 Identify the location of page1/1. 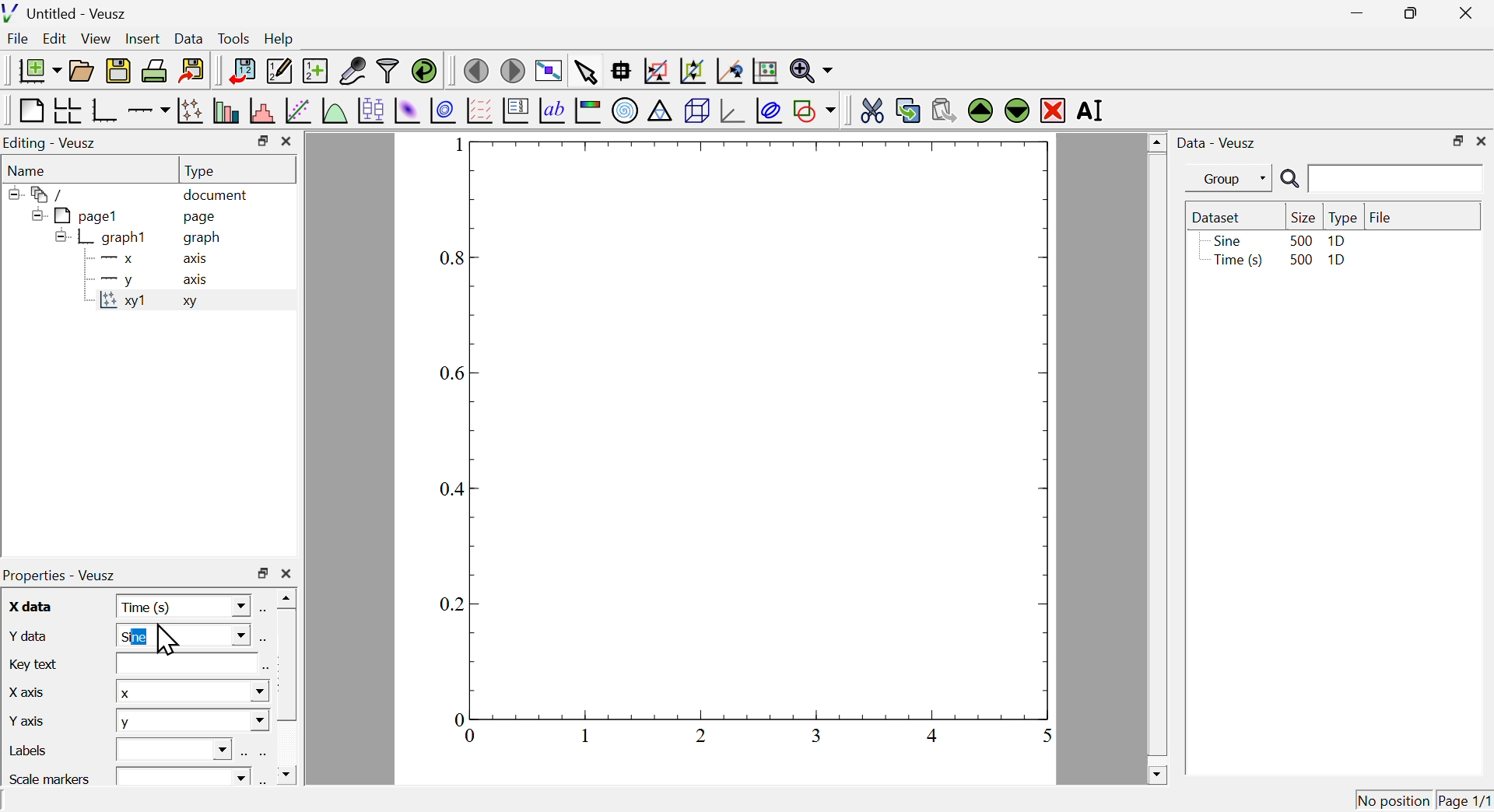
(1465, 797).